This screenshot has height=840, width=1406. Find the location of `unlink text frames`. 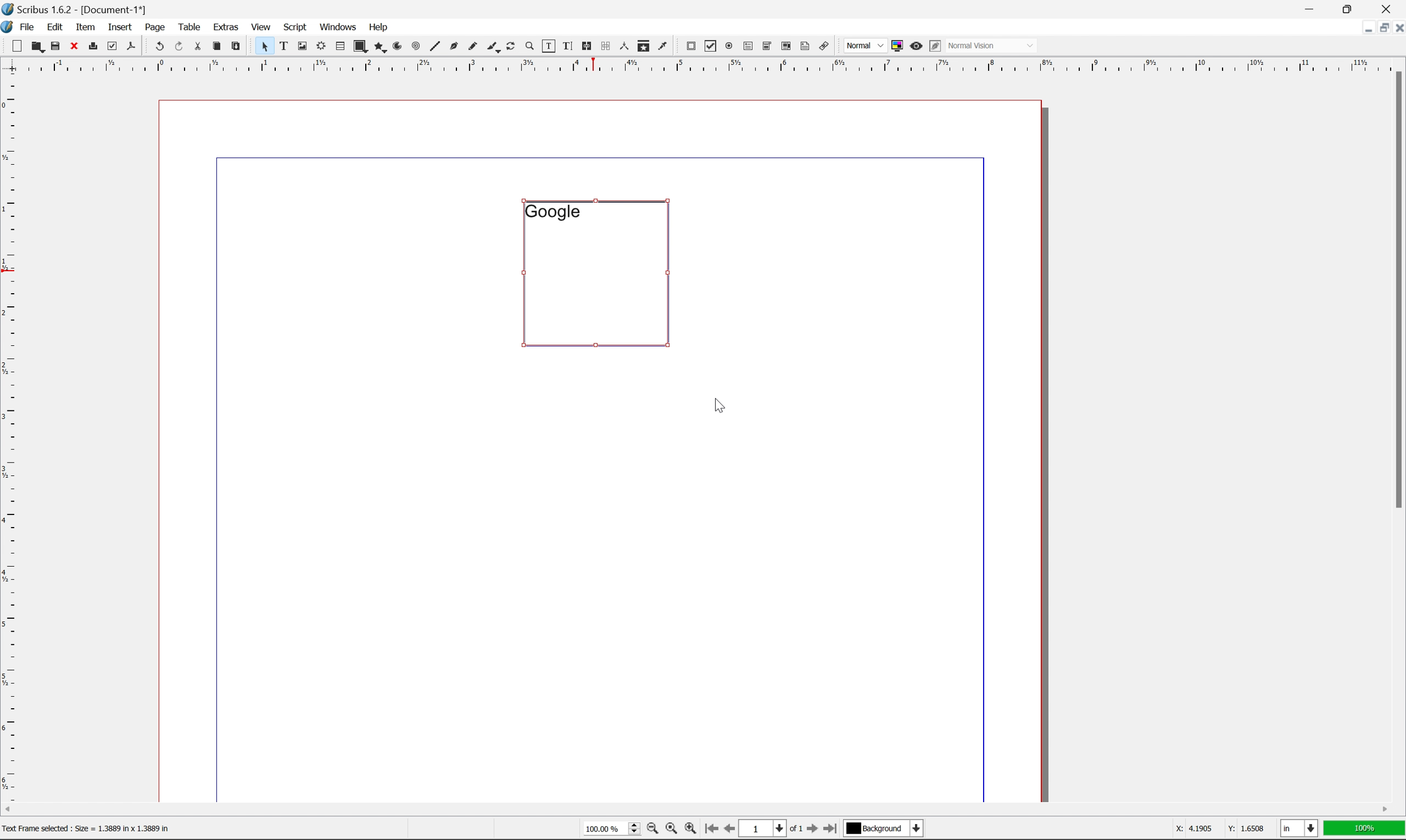

unlink text frames is located at coordinates (604, 46).